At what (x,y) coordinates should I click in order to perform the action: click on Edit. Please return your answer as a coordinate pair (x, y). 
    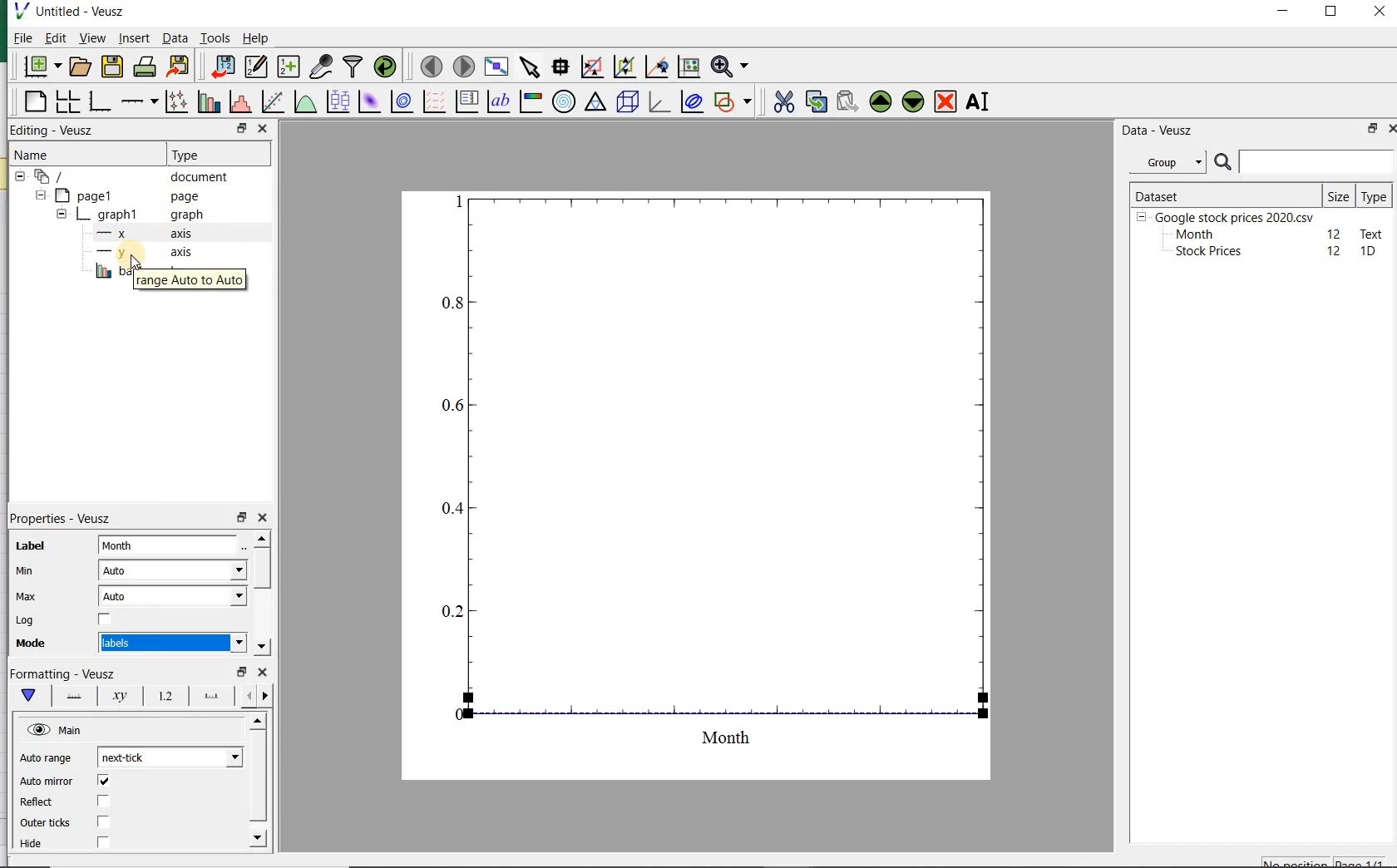
    Looking at the image, I should click on (54, 37).